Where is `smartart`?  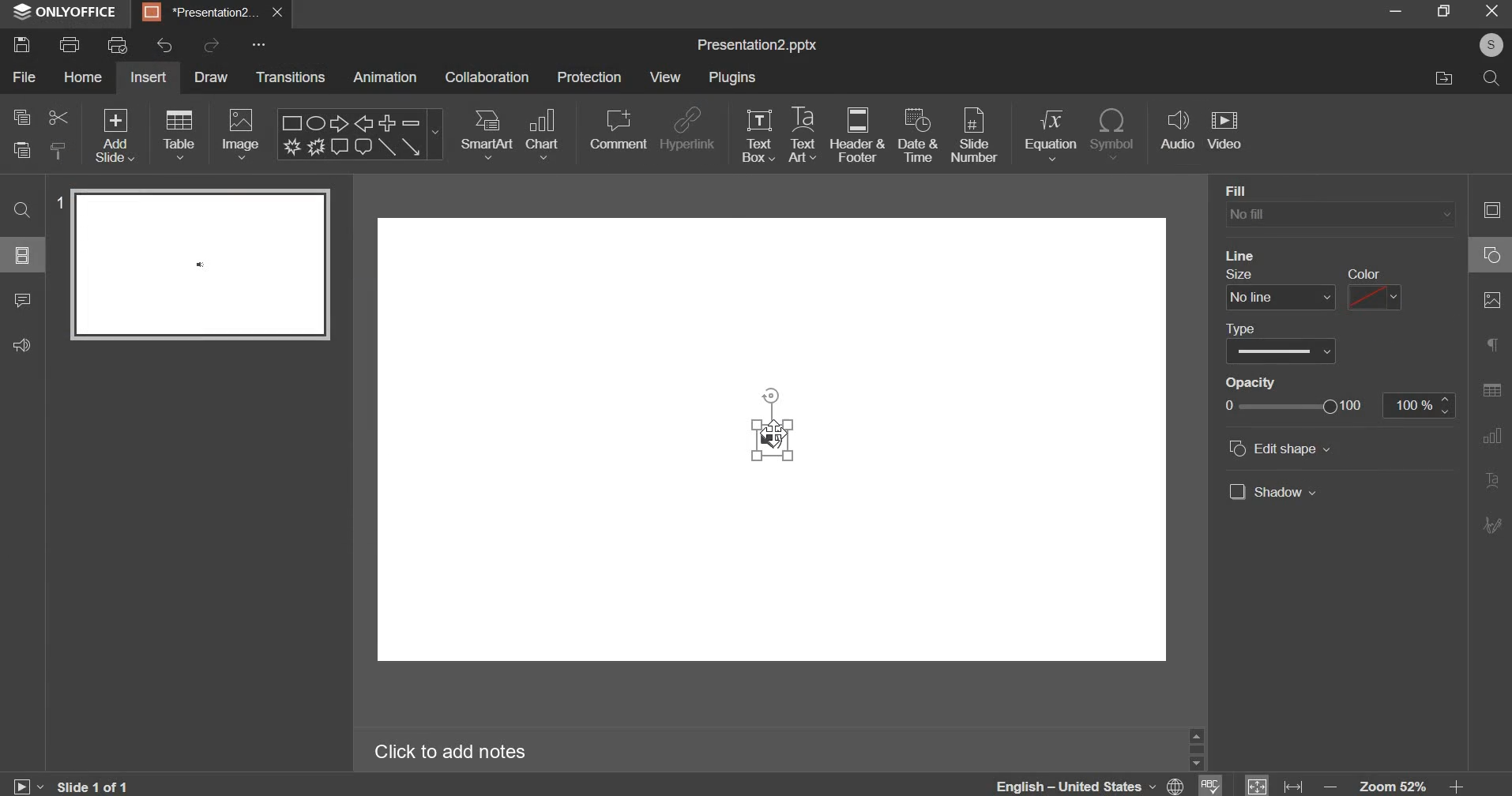 smartart is located at coordinates (487, 133).